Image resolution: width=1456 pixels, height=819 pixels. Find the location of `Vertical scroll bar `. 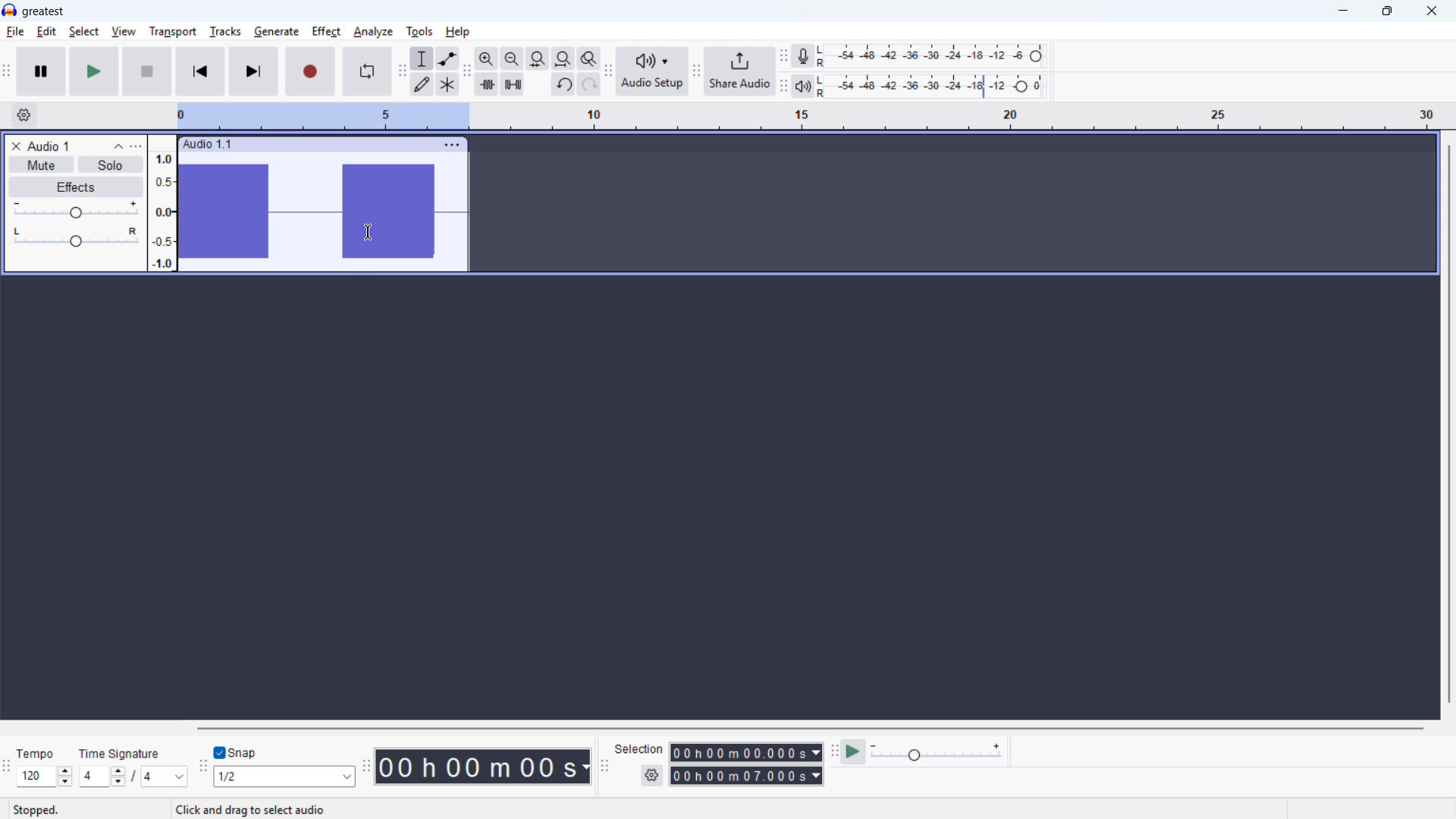

Vertical scroll bar  is located at coordinates (1449, 425).